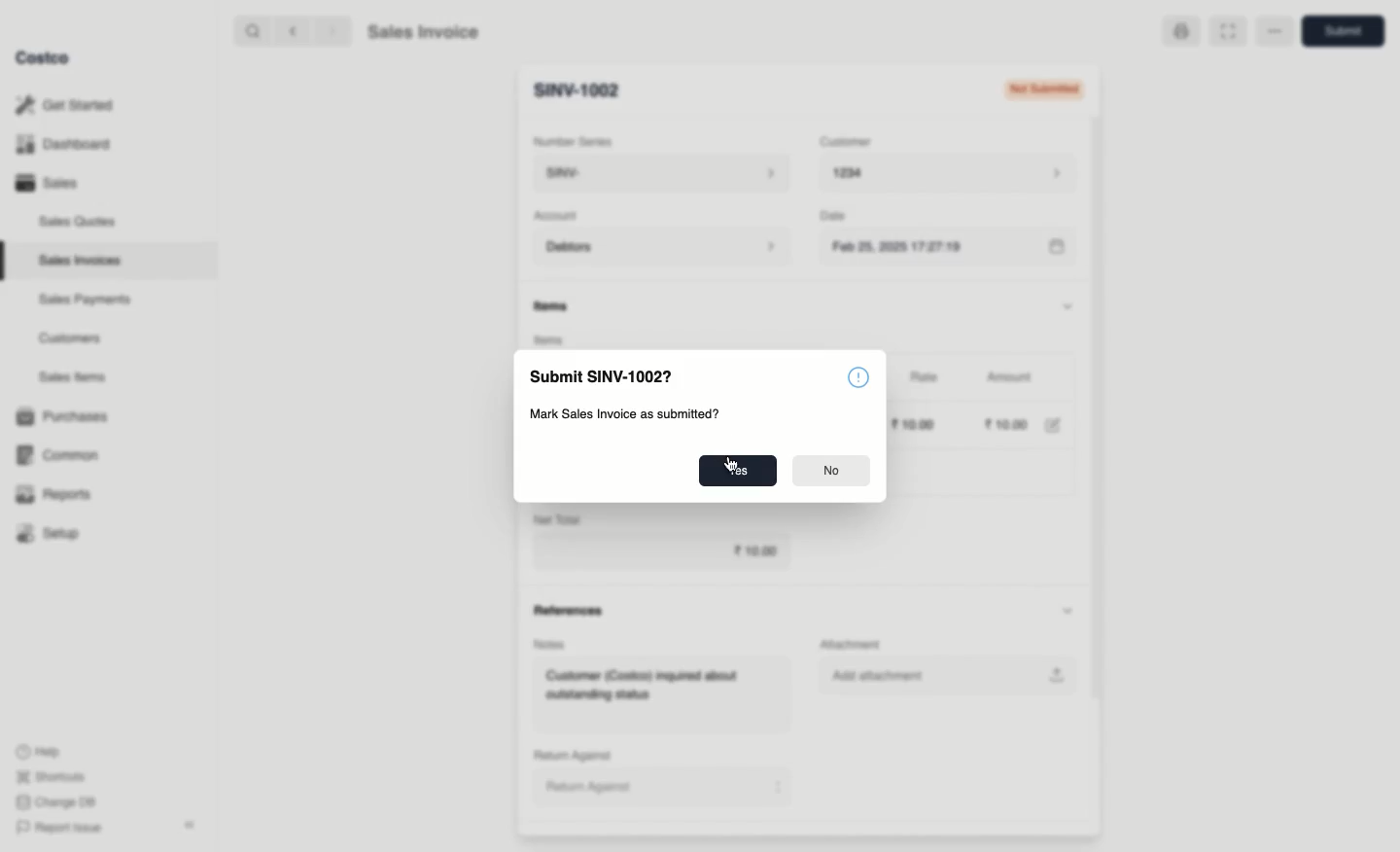 The image size is (1400, 852). I want to click on 1234, so click(956, 176).